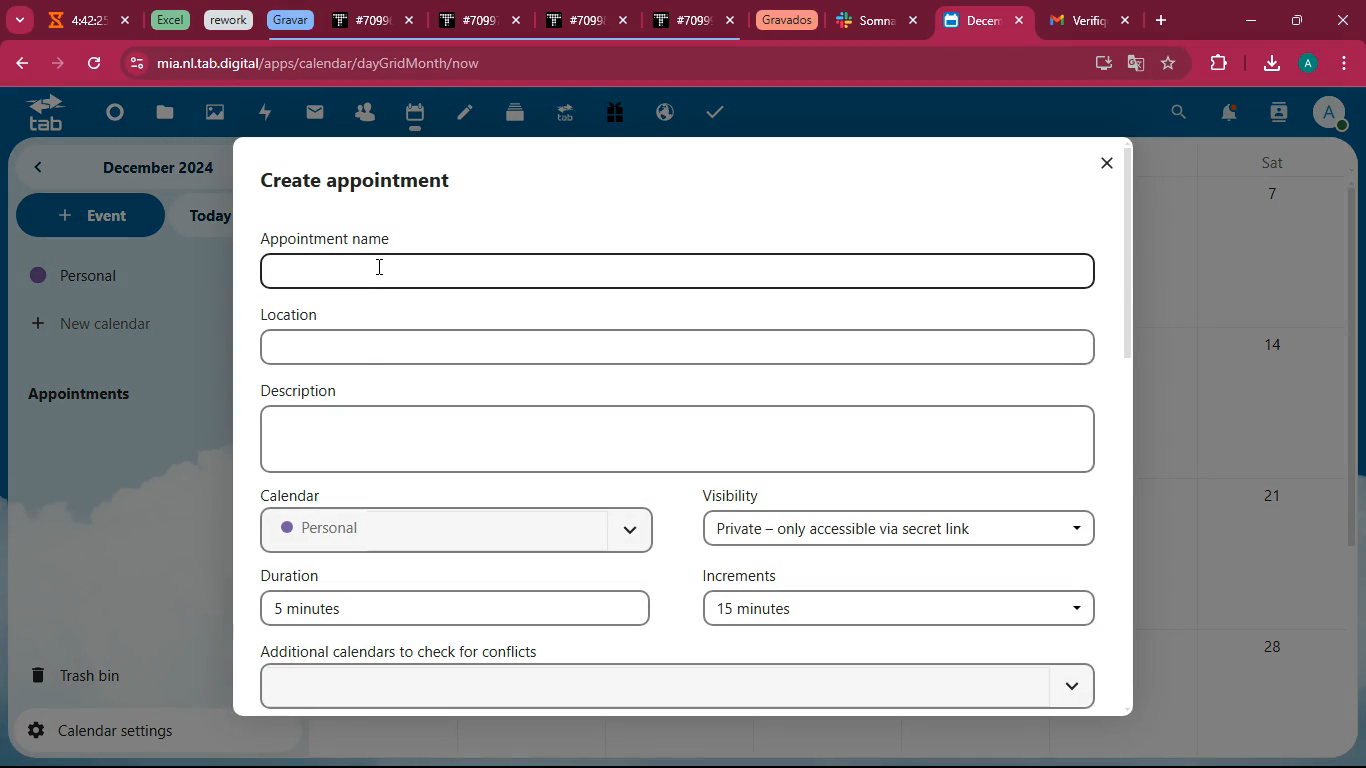 This screenshot has height=768, width=1366. Describe the element at coordinates (411, 651) in the screenshot. I see `additional calendar` at that location.